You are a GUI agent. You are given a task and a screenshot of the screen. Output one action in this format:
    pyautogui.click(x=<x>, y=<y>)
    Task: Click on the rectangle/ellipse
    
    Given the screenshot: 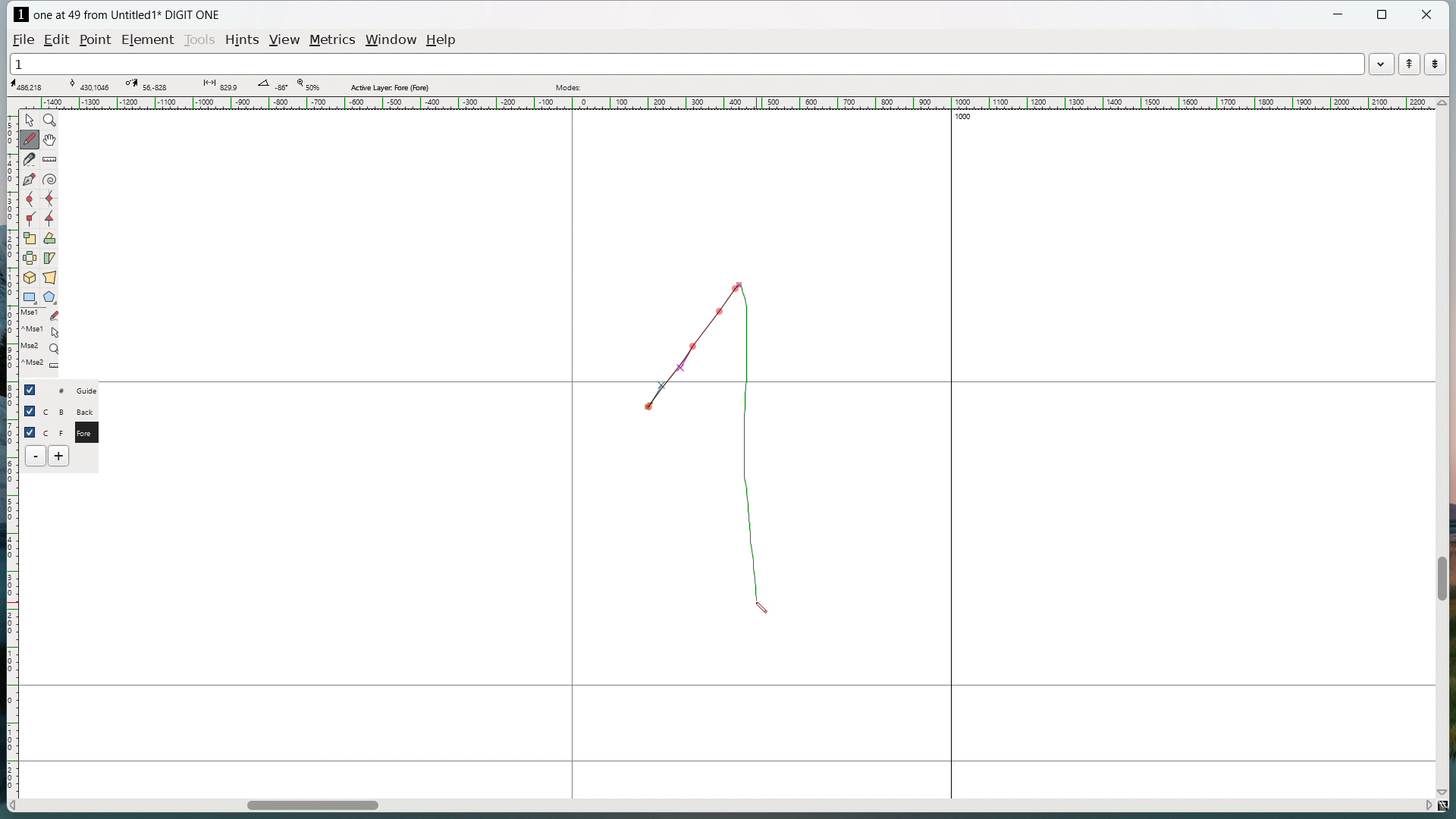 What is the action you would take?
    pyautogui.click(x=30, y=297)
    